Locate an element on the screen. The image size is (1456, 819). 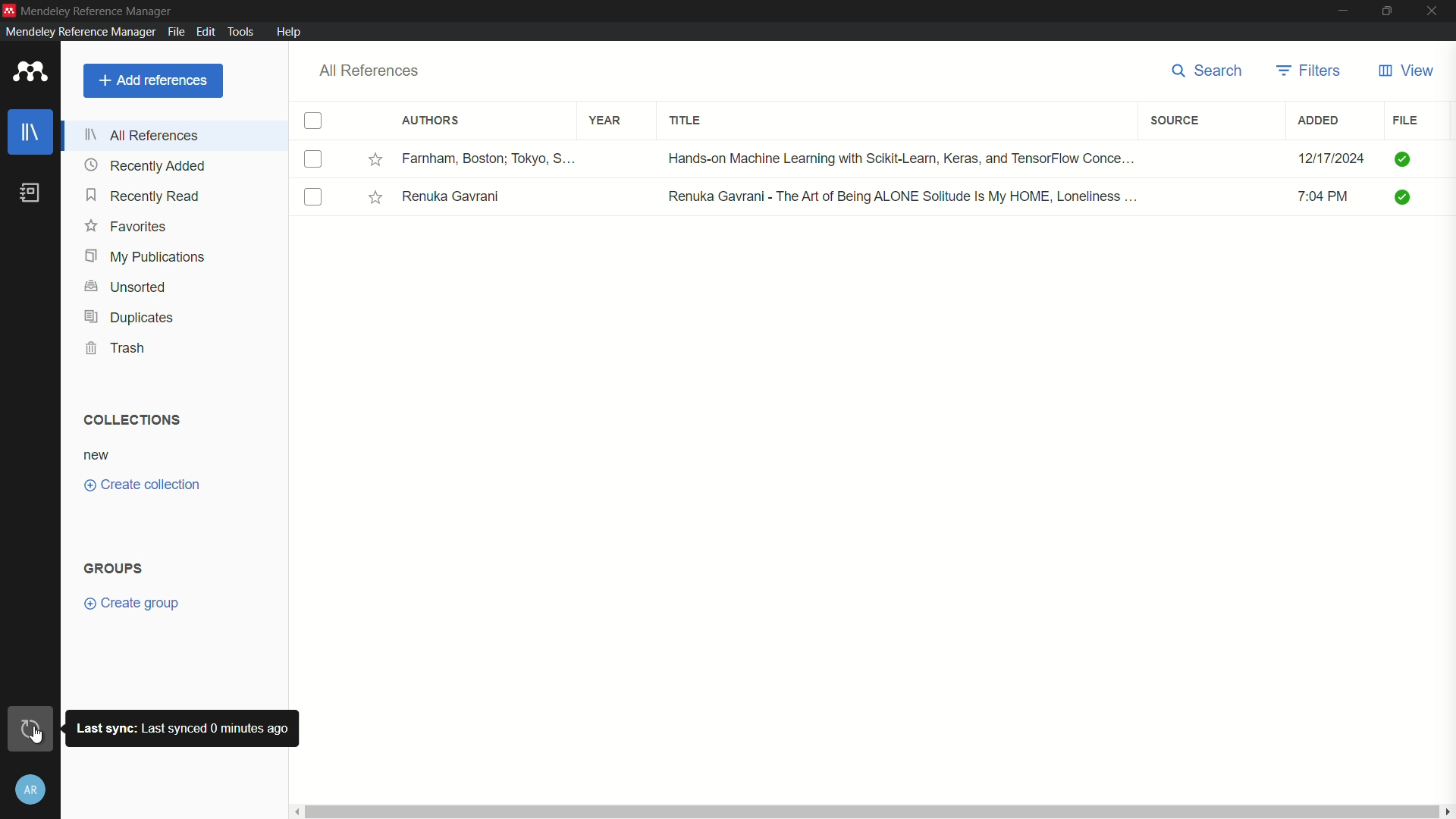
Famham is located at coordinates (488, 158).